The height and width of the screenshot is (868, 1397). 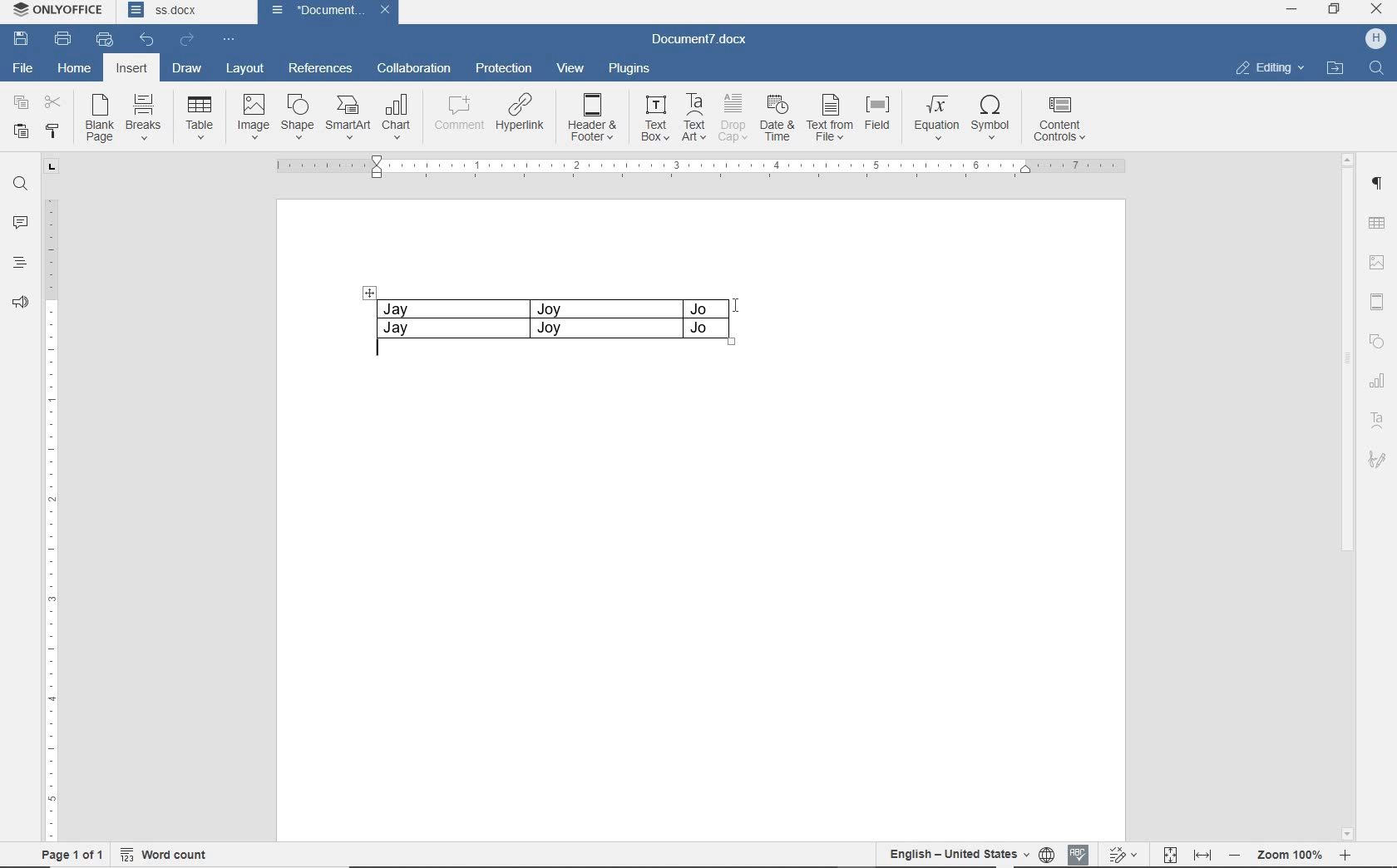 I want to click on INSERT, so click(x=133, y=70).